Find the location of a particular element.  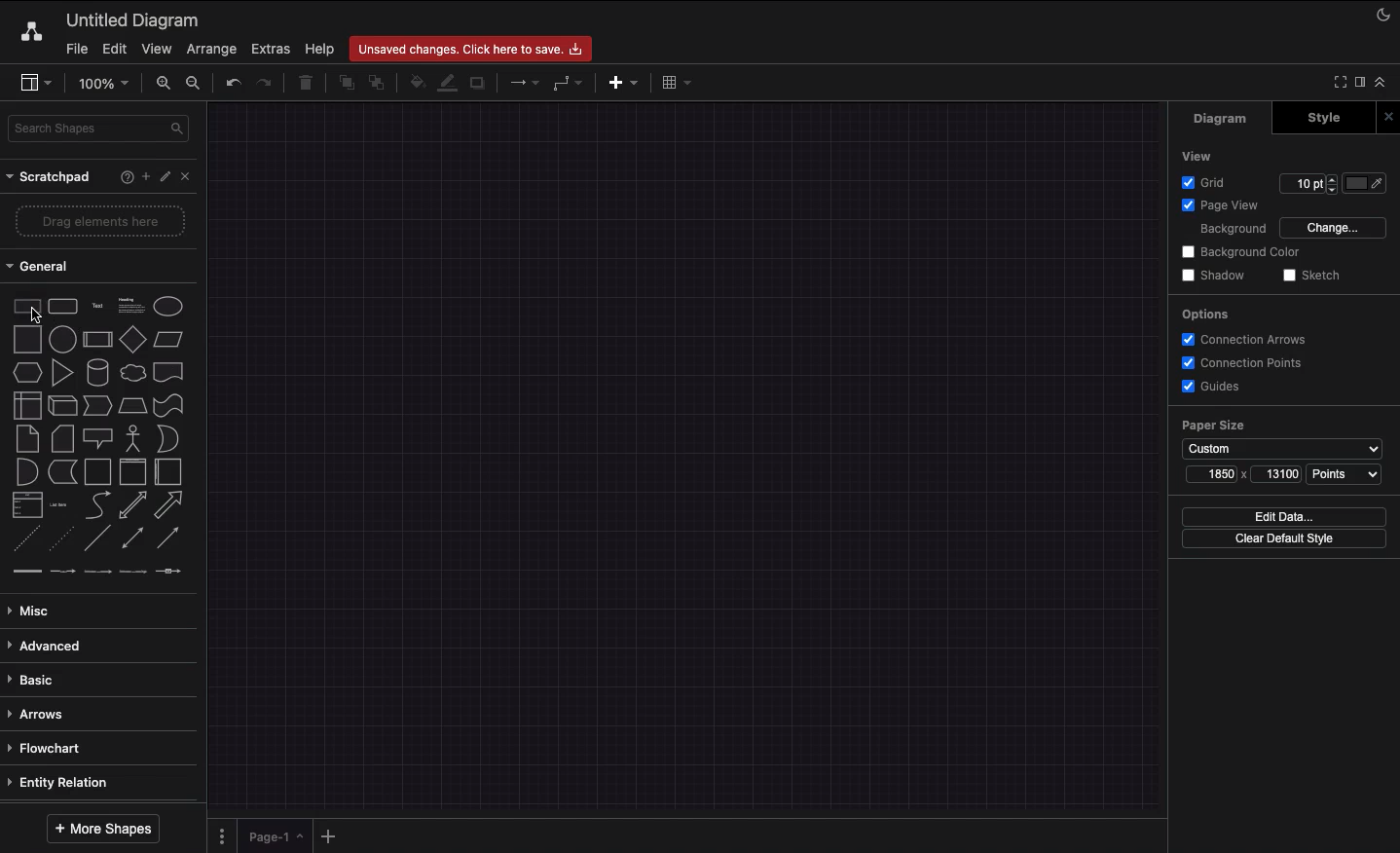

Fill color is located at coordinates (1366, 185).